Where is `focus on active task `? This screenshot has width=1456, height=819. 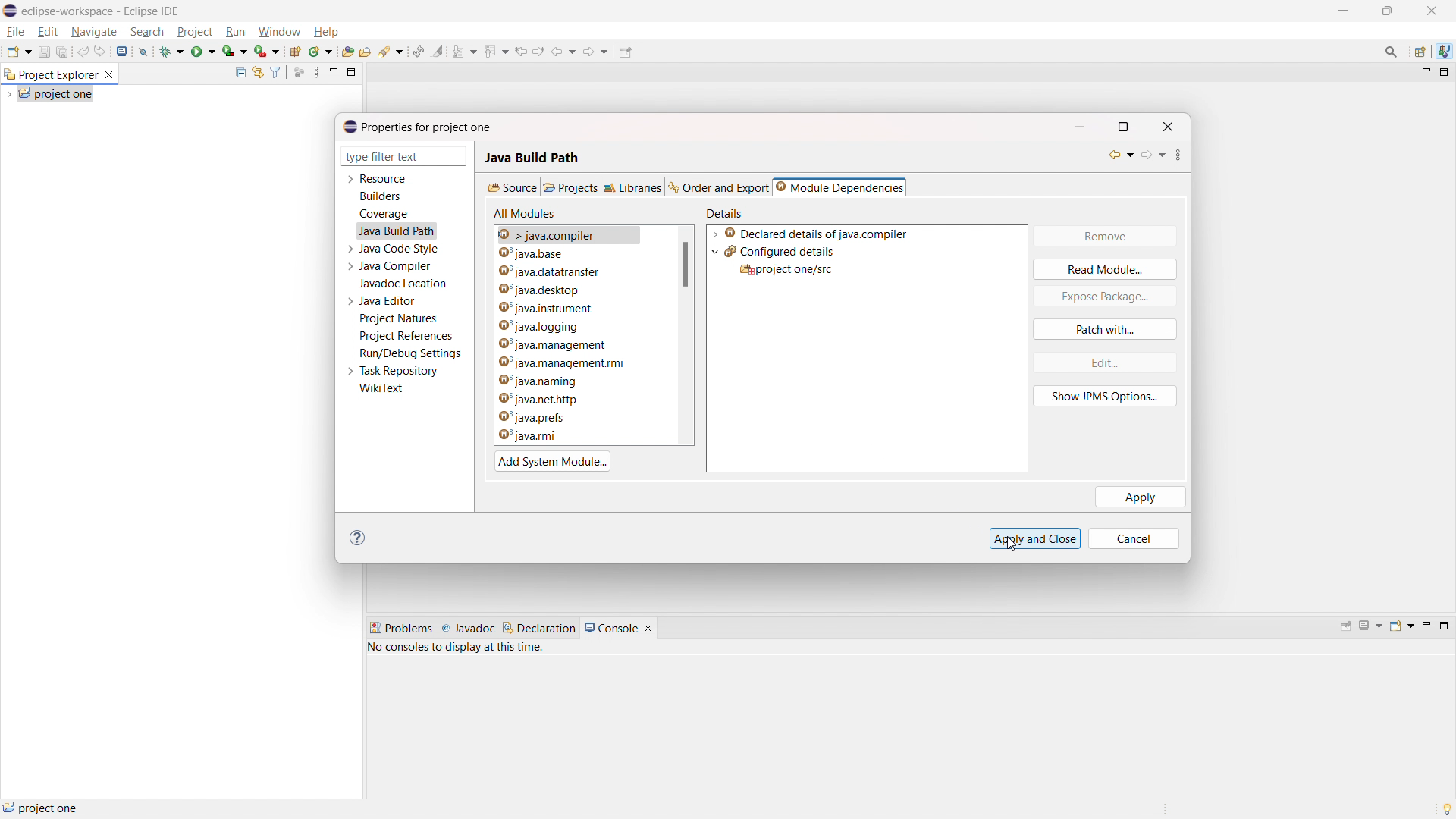 focus on active task  is located at coordinates (300, 73).